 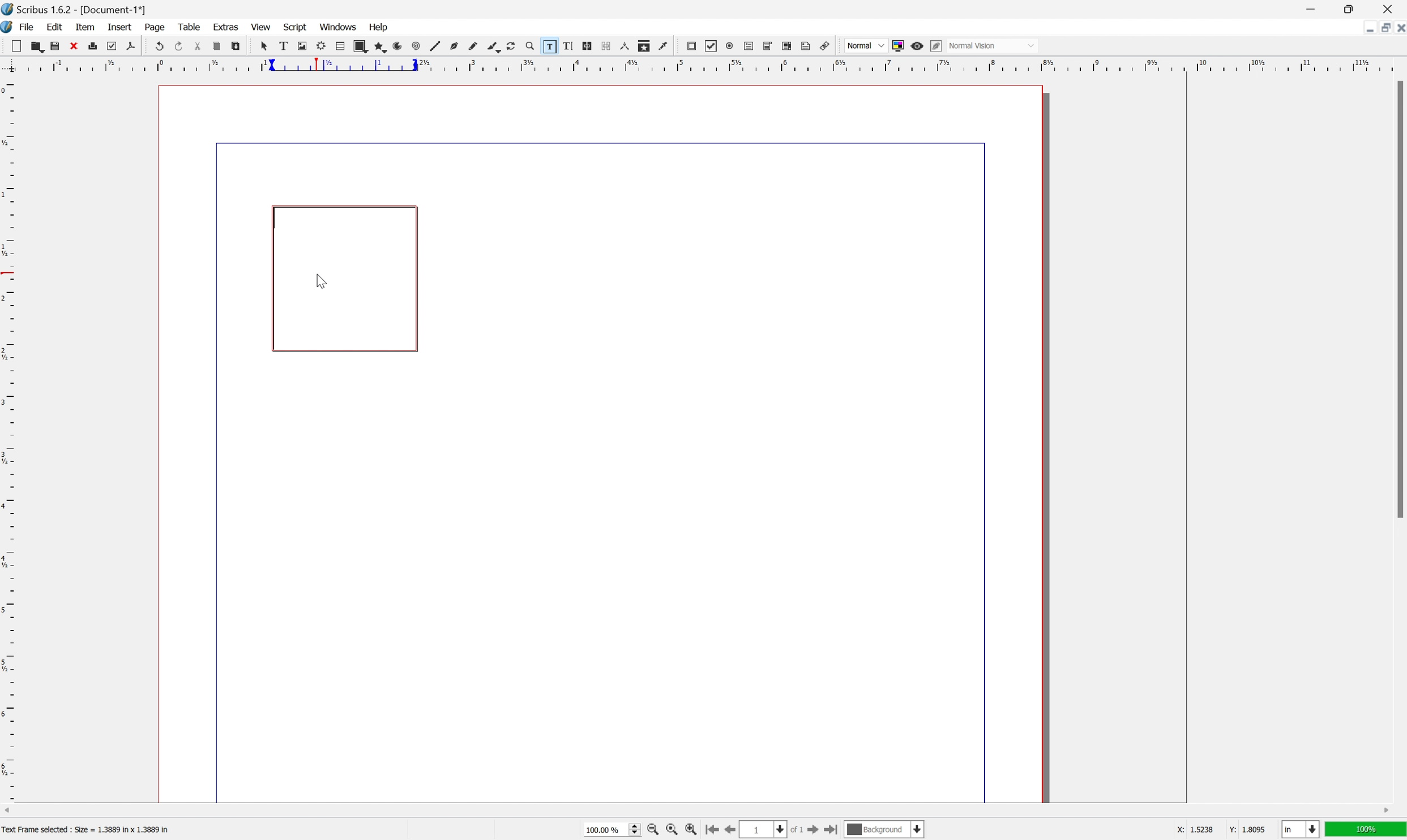 I want to click on restore down, so click(x=1353, y=8).